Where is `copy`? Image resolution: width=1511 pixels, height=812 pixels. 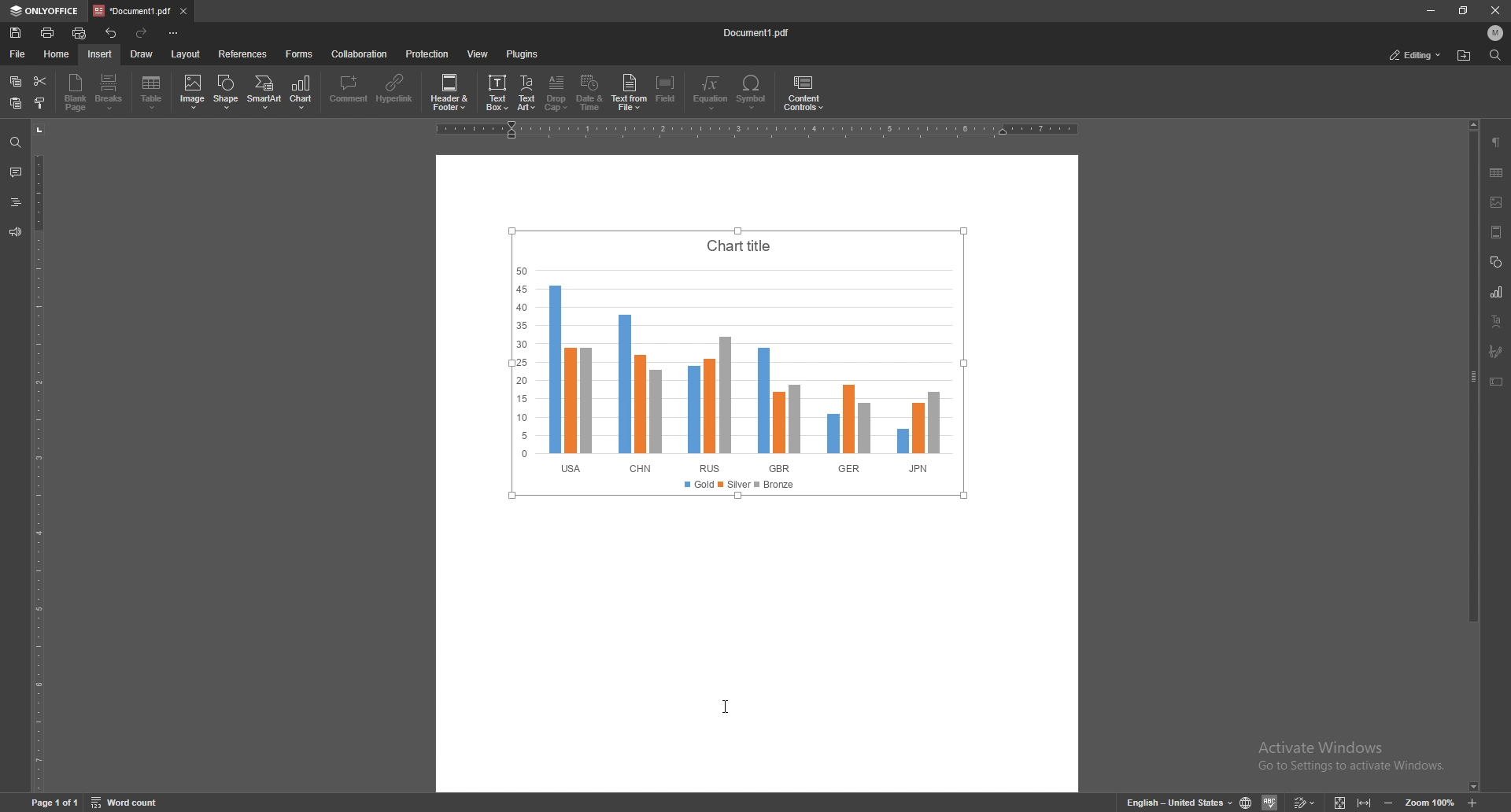 copy is located at coordinates (14, 82).